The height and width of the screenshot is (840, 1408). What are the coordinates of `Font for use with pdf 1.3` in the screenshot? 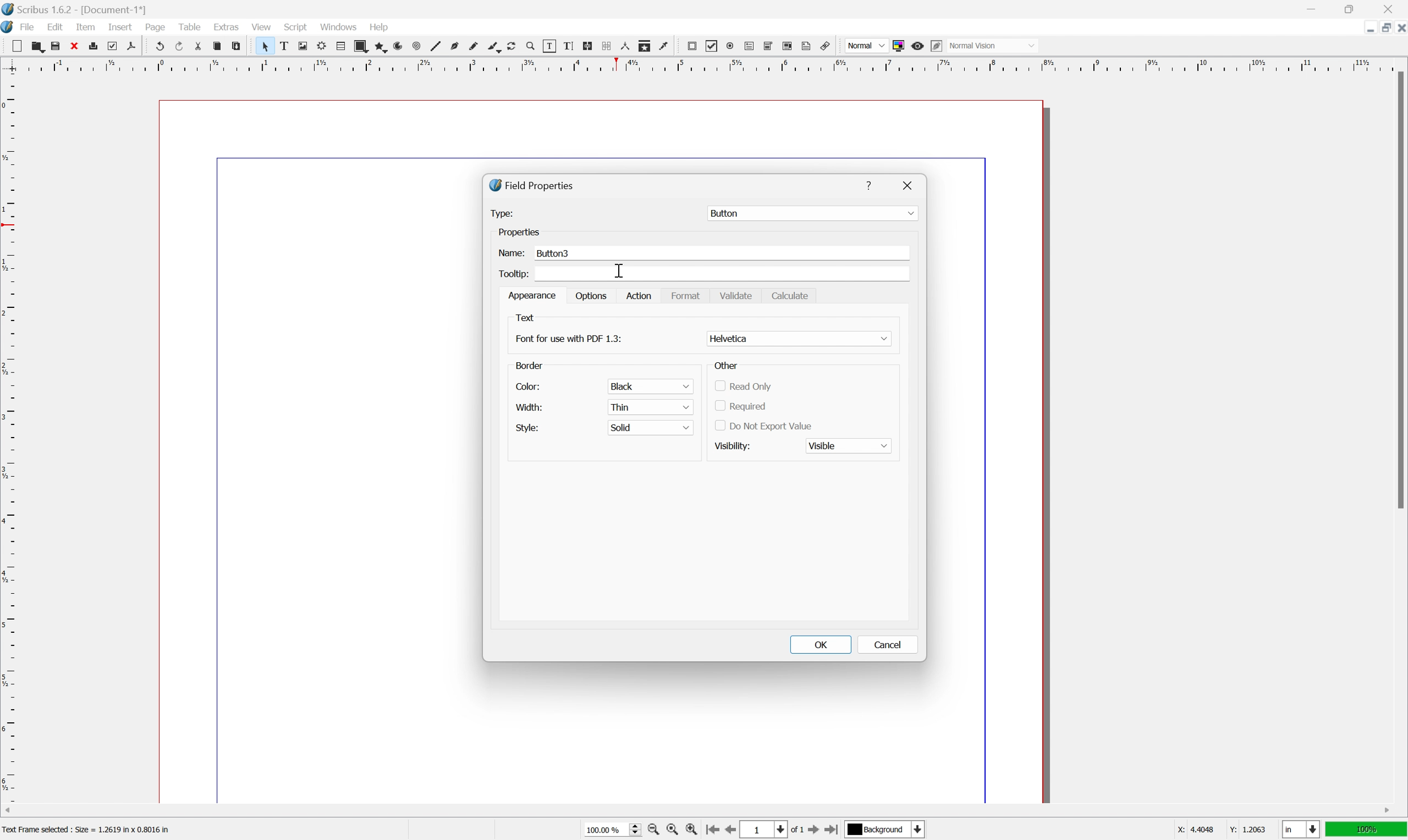 It's located at (570, 338).